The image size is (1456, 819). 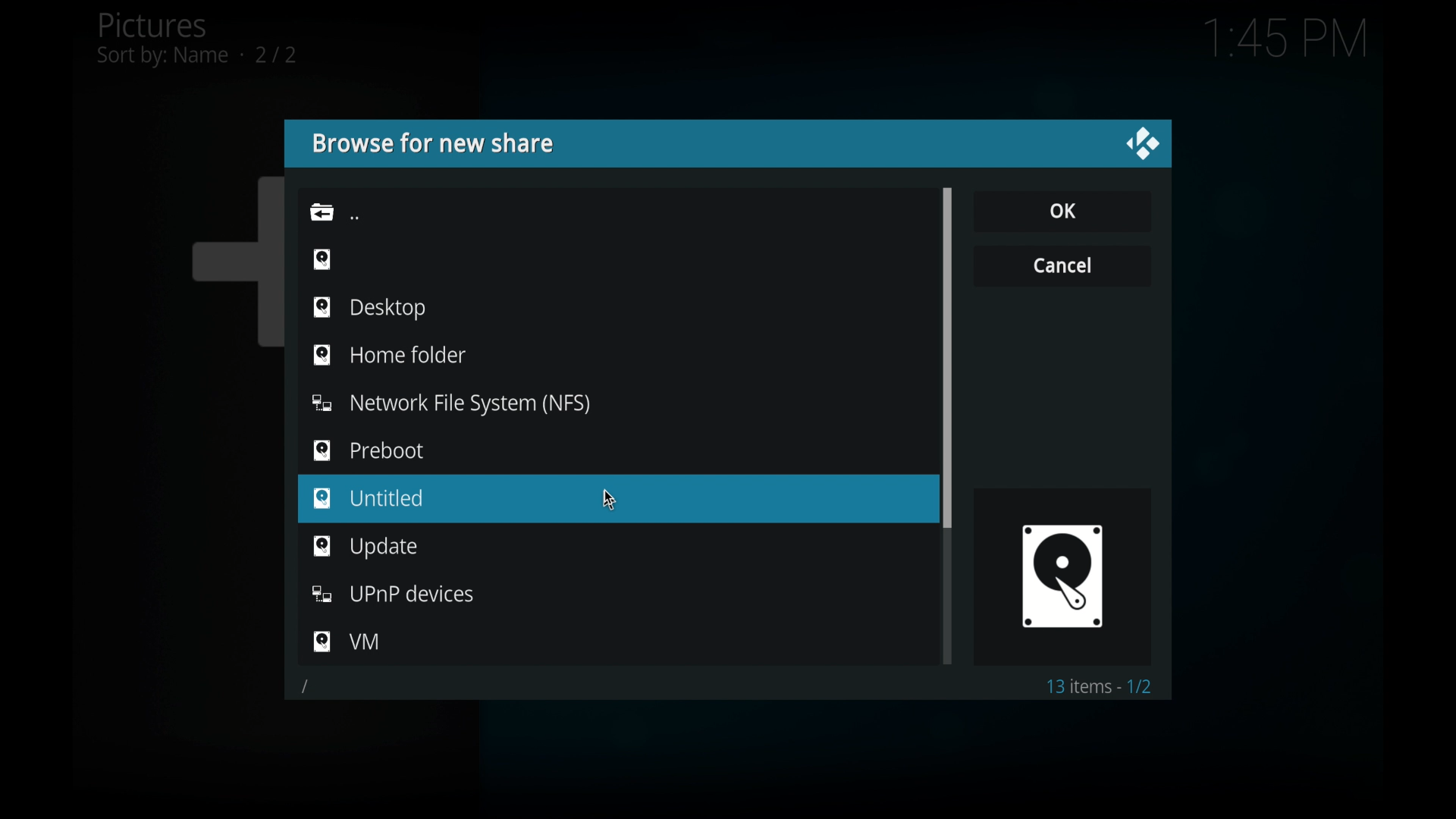 I want to click on untitled folder, so click(x=615, y=498).